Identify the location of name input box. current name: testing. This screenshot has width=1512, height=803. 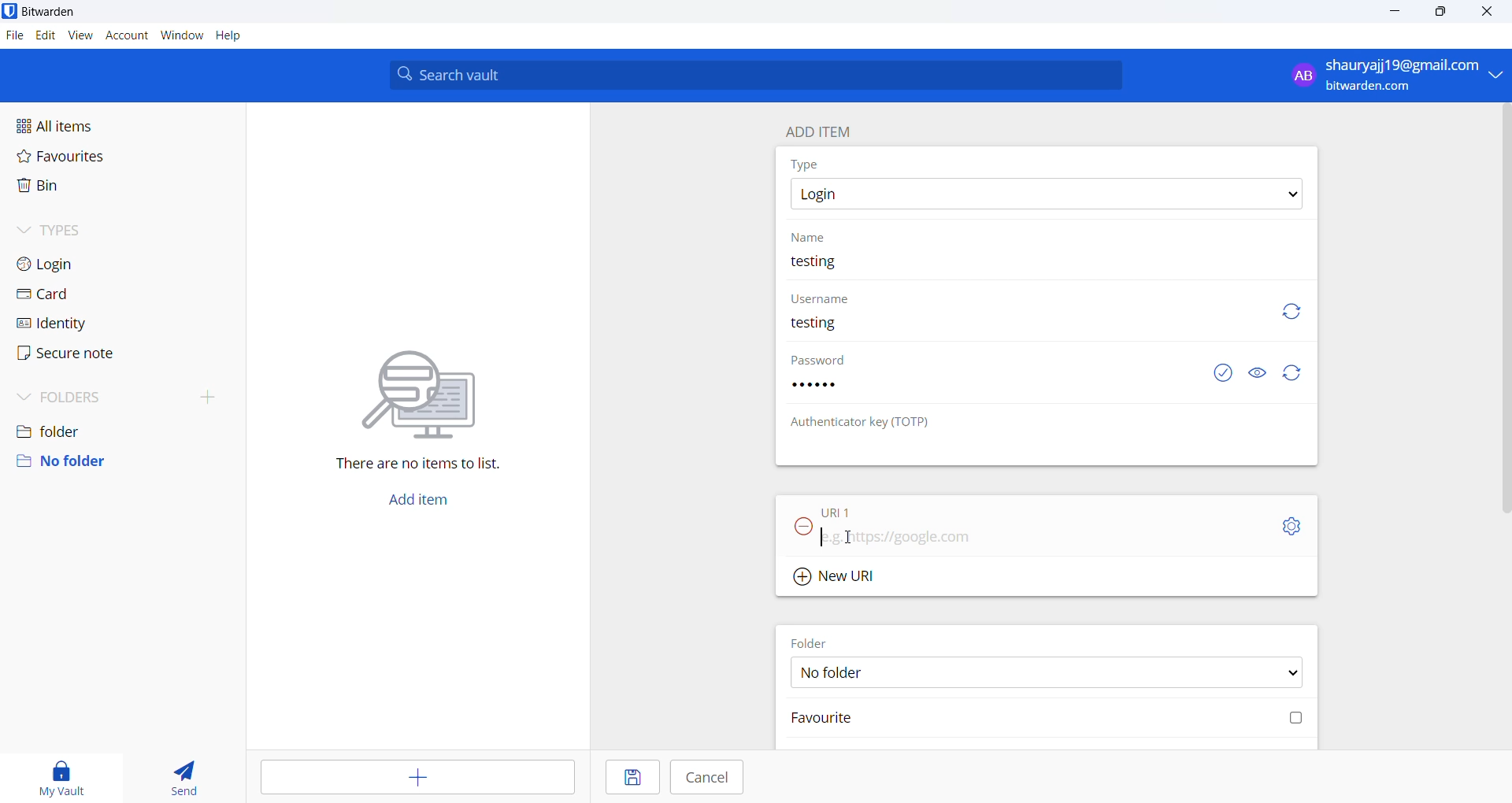
(1048, 269).